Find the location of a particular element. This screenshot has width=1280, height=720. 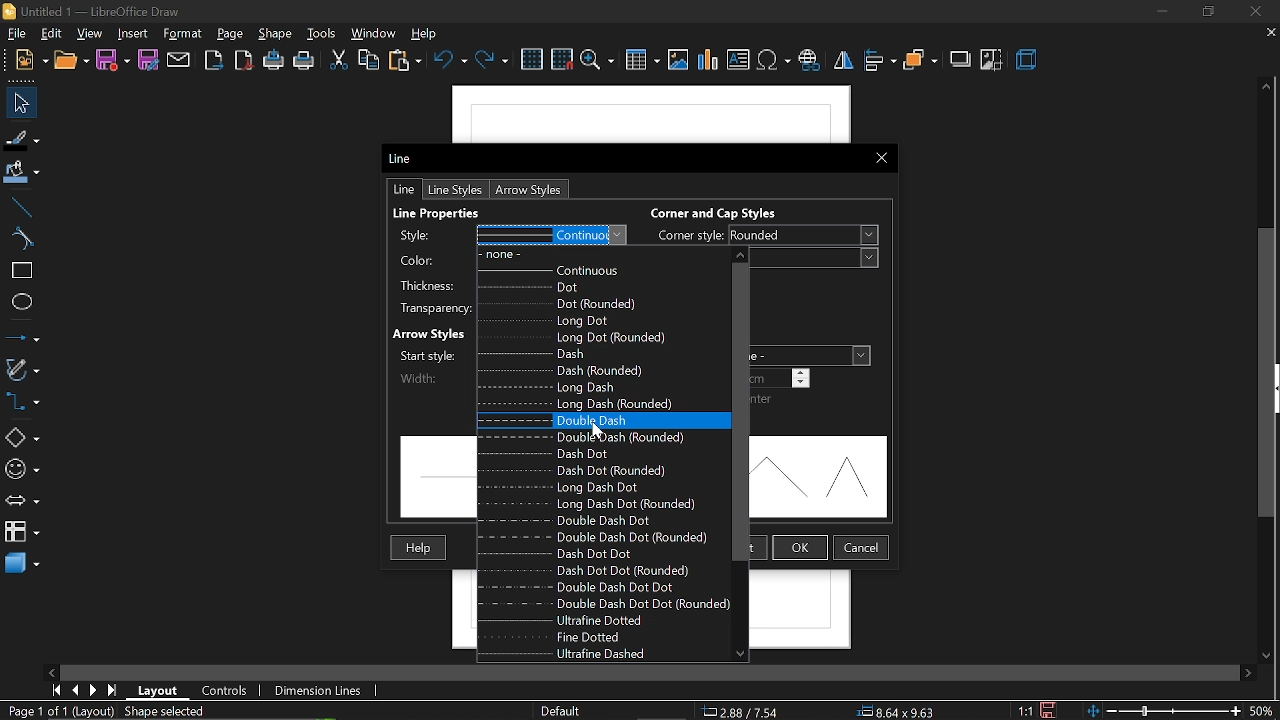

end center is located at coordinates (764, 400).